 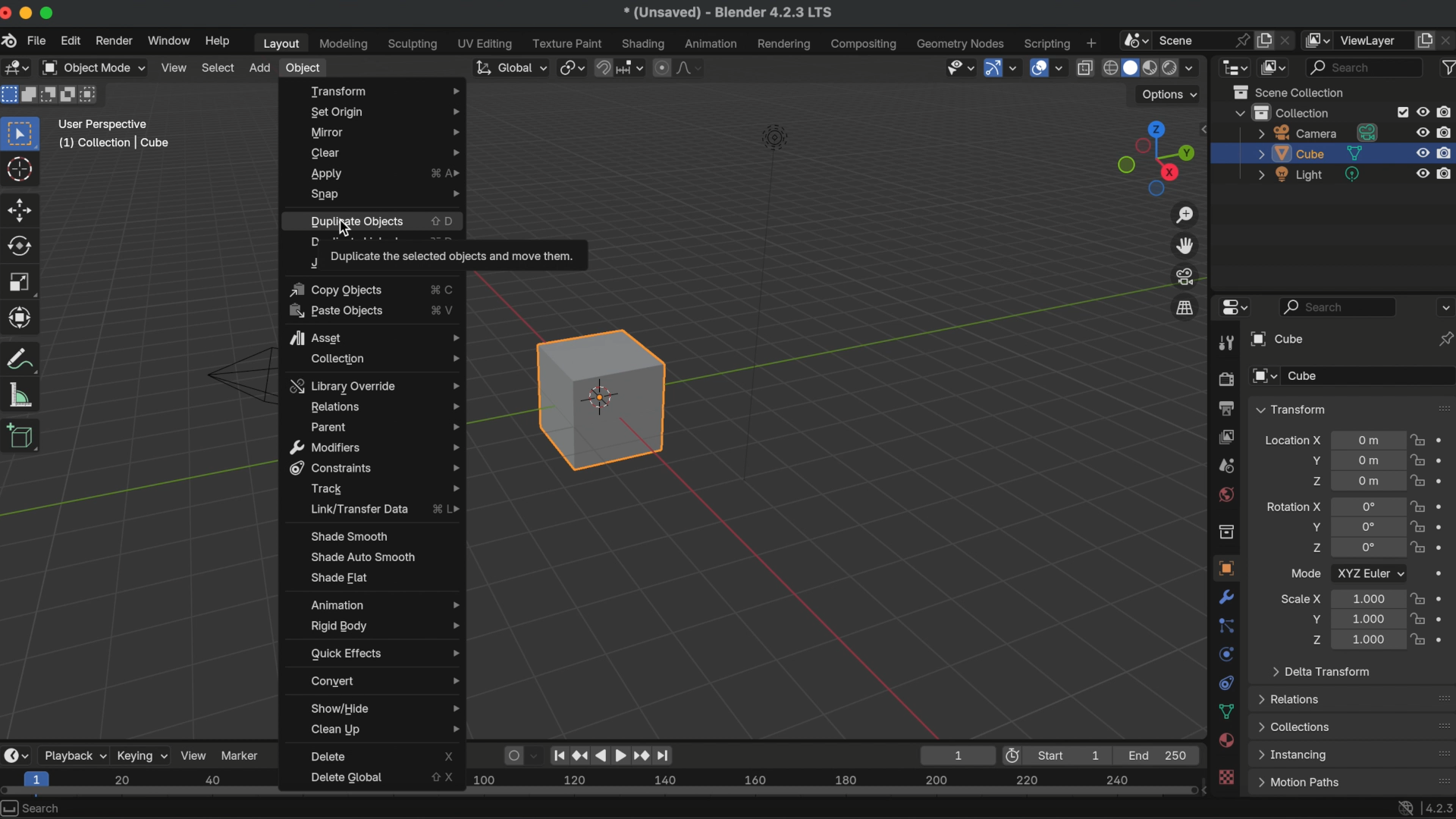 I want to click on modifiers, so click(x=1228, y=597).